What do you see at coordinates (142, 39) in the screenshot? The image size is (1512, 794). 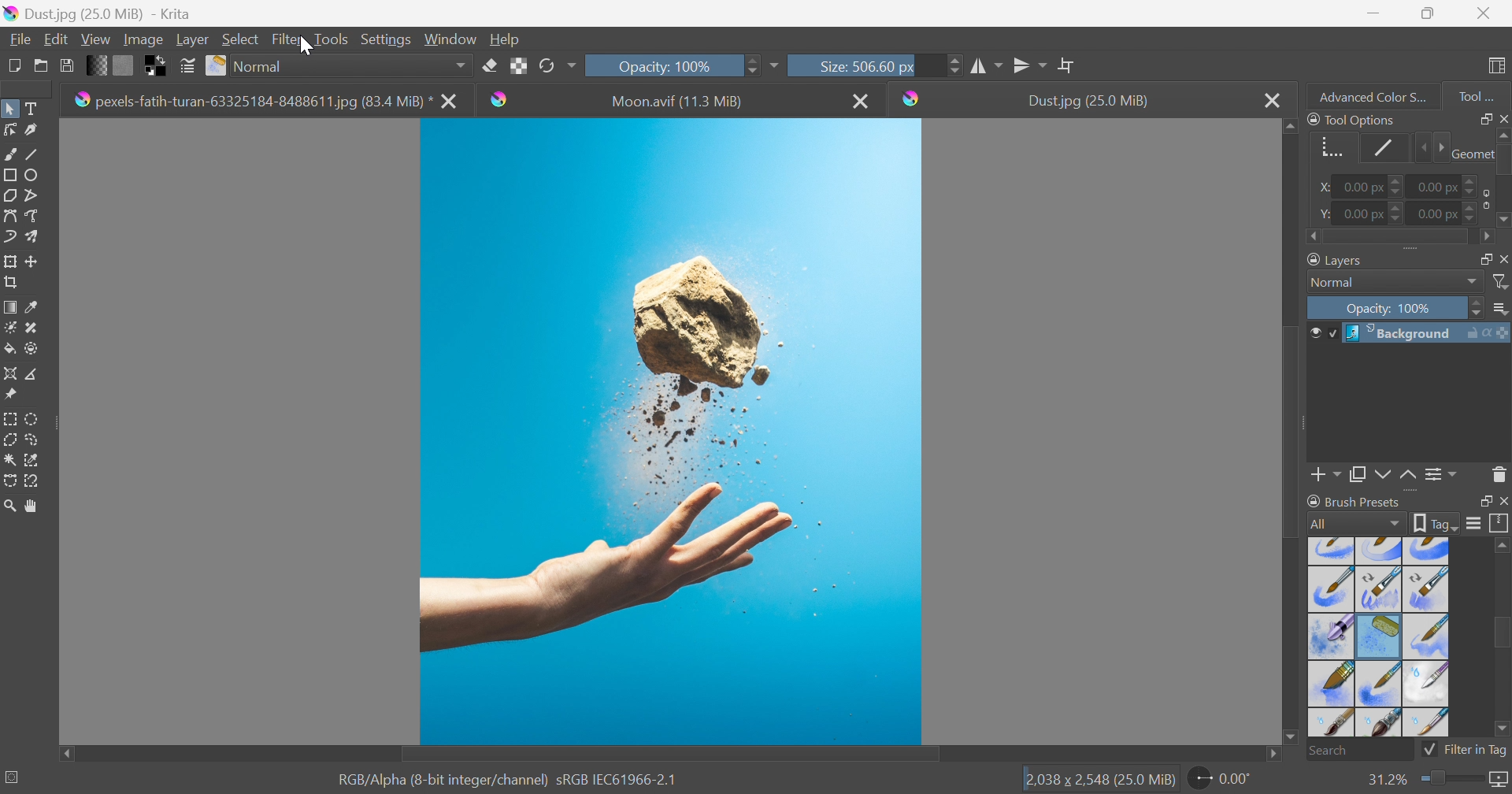 I see `Image` at bounding box center [142, 39].